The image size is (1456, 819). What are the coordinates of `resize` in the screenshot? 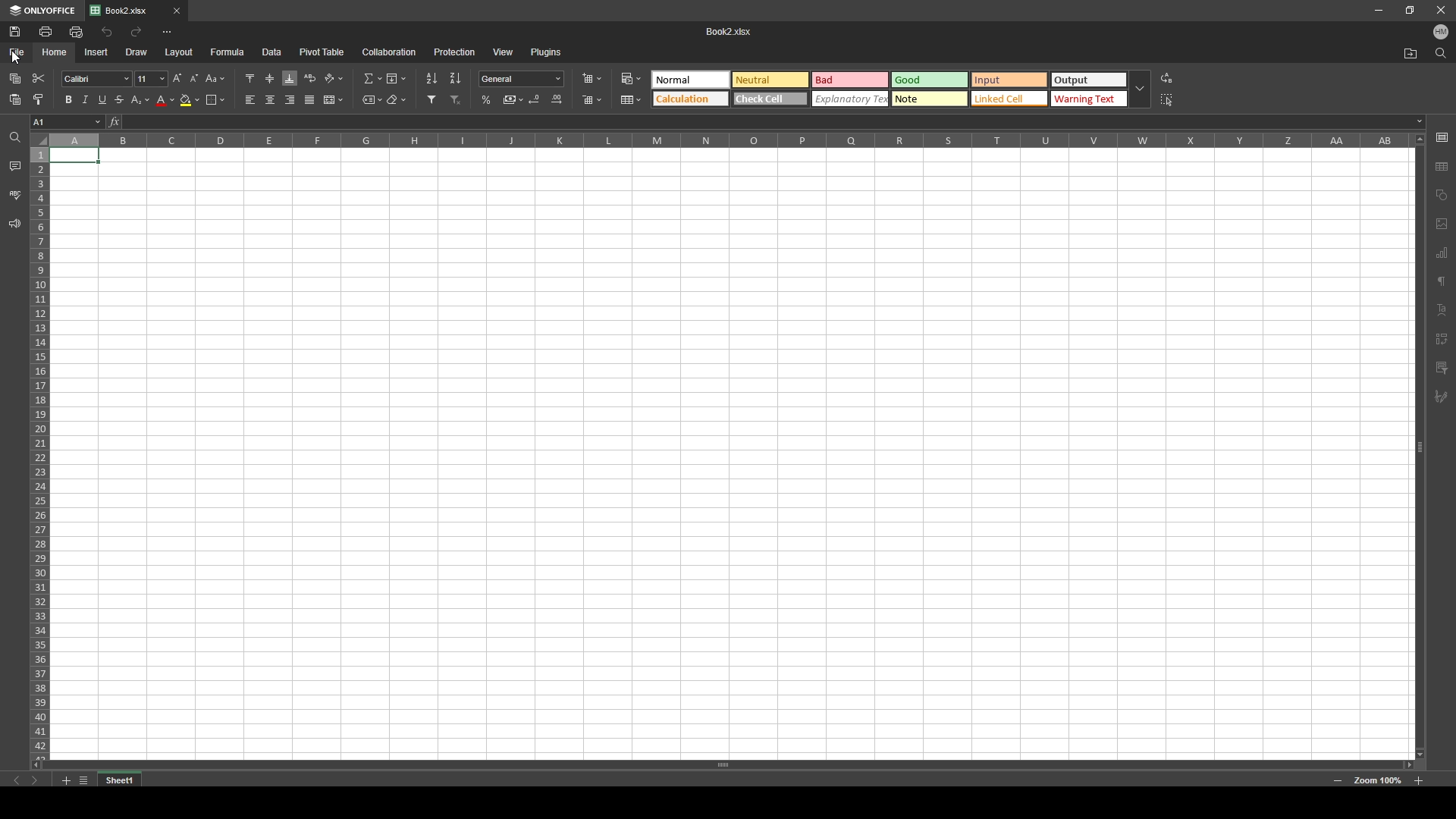 It's located at (1411, 9).